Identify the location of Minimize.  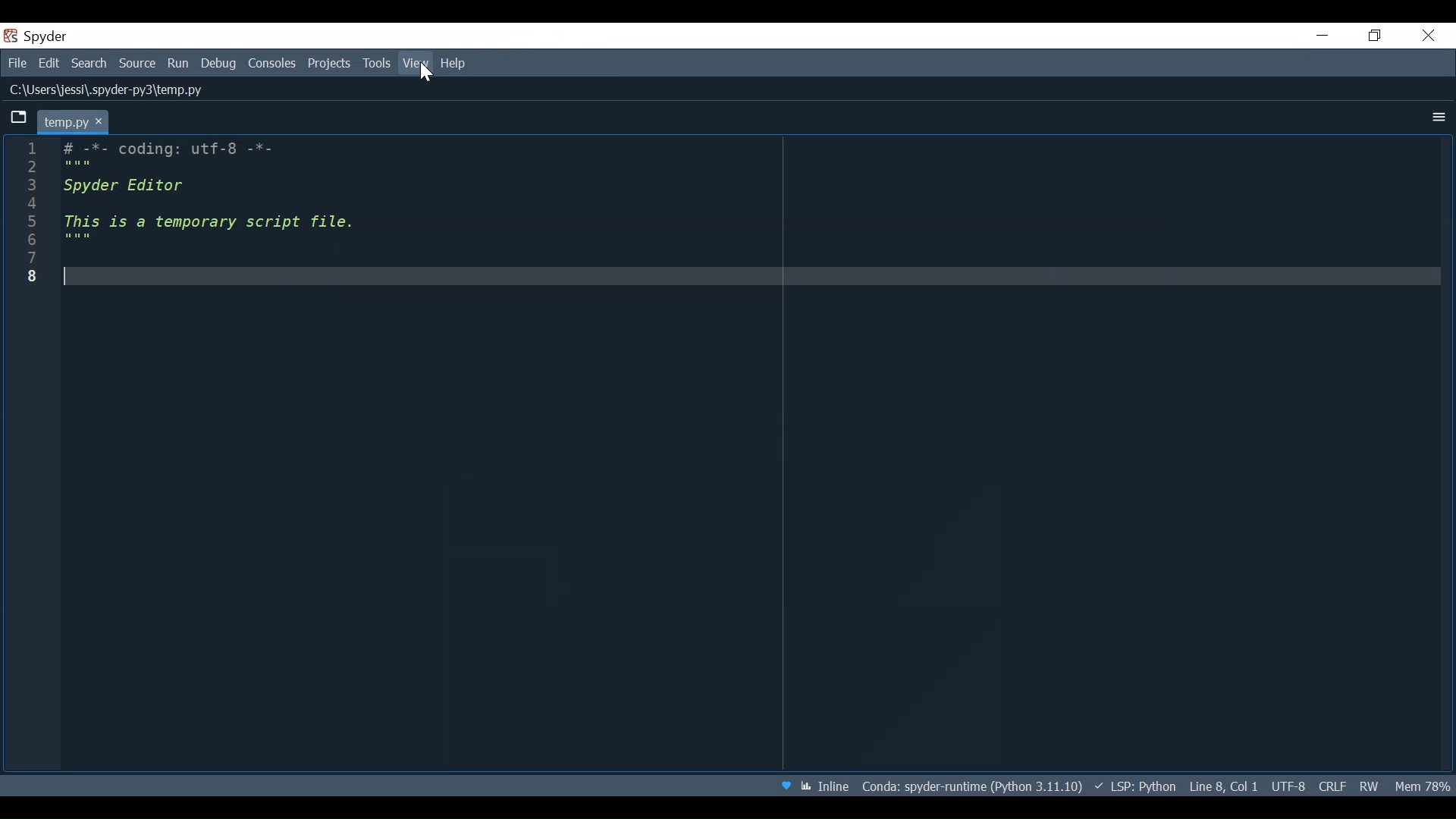
(1323, 36).